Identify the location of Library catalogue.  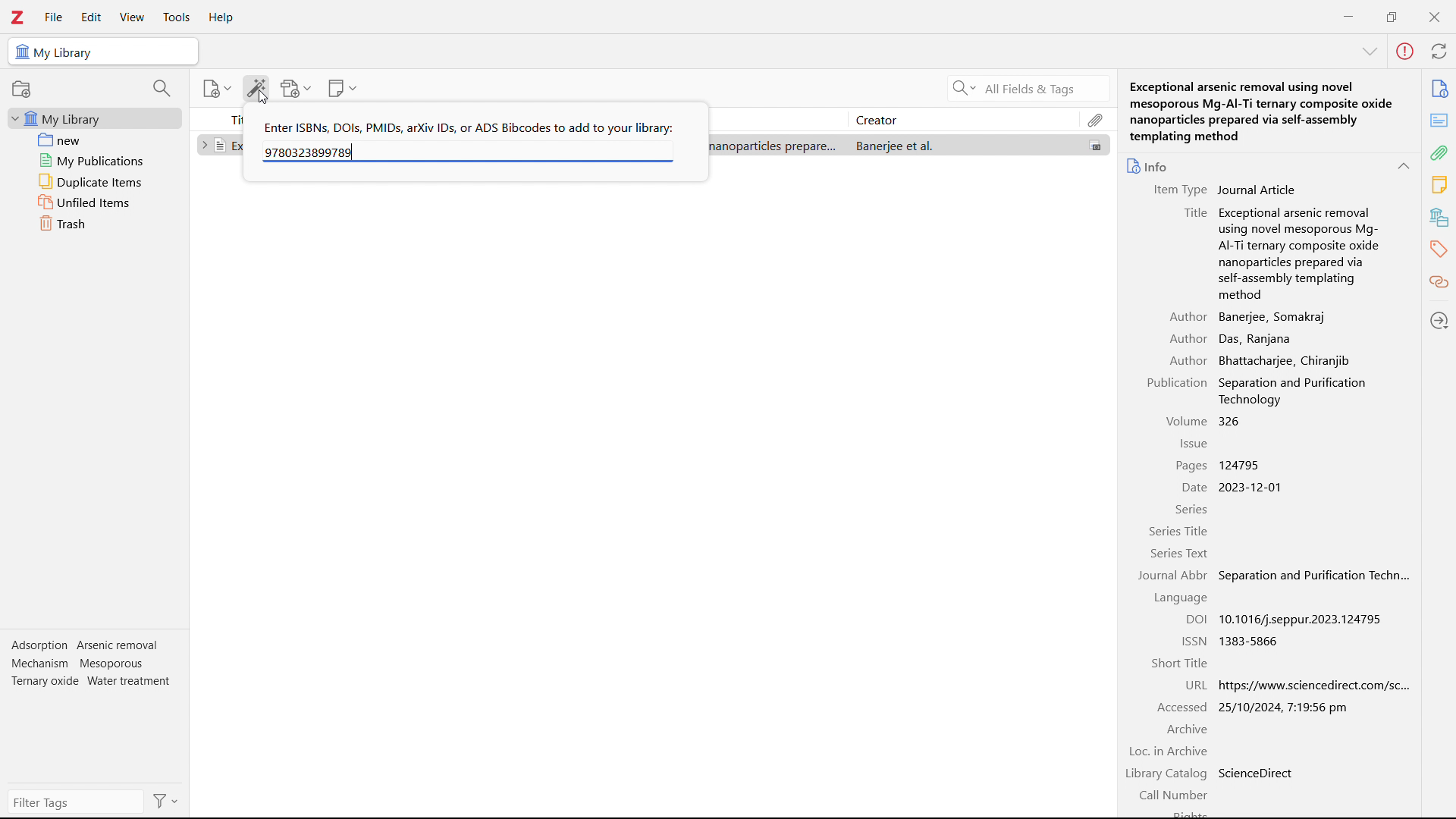
(1168, 775).